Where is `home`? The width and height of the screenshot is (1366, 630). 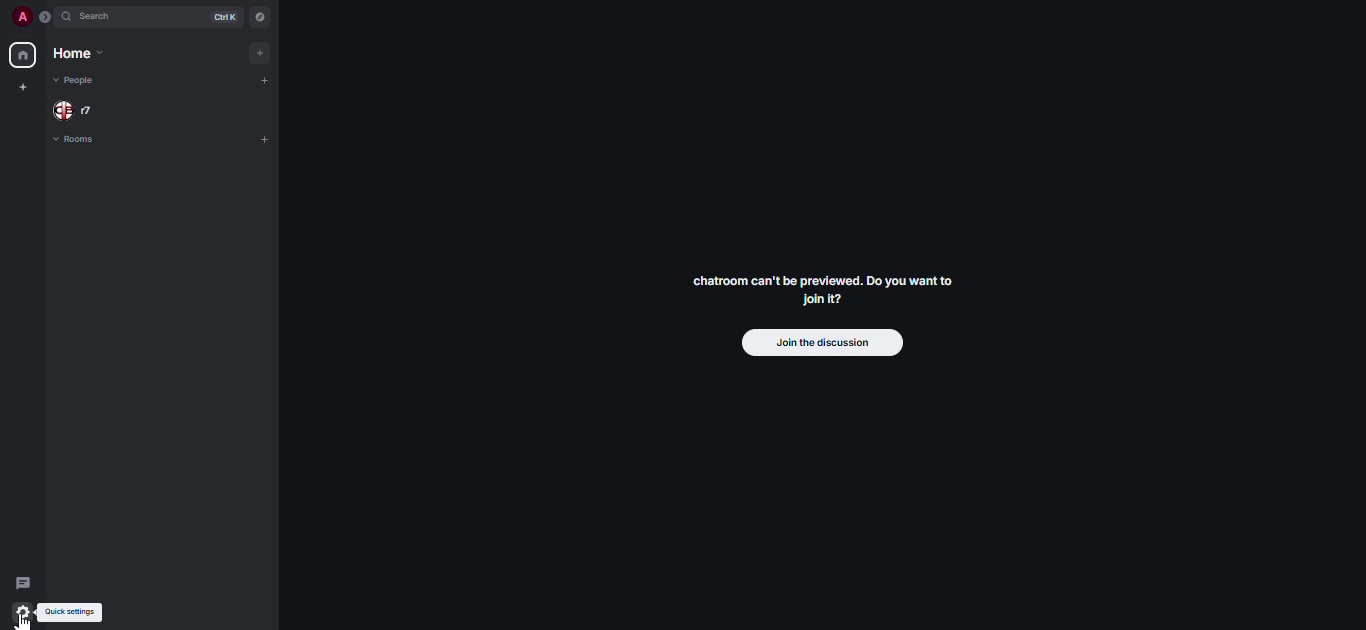
home is located at coordinates (22, 55).